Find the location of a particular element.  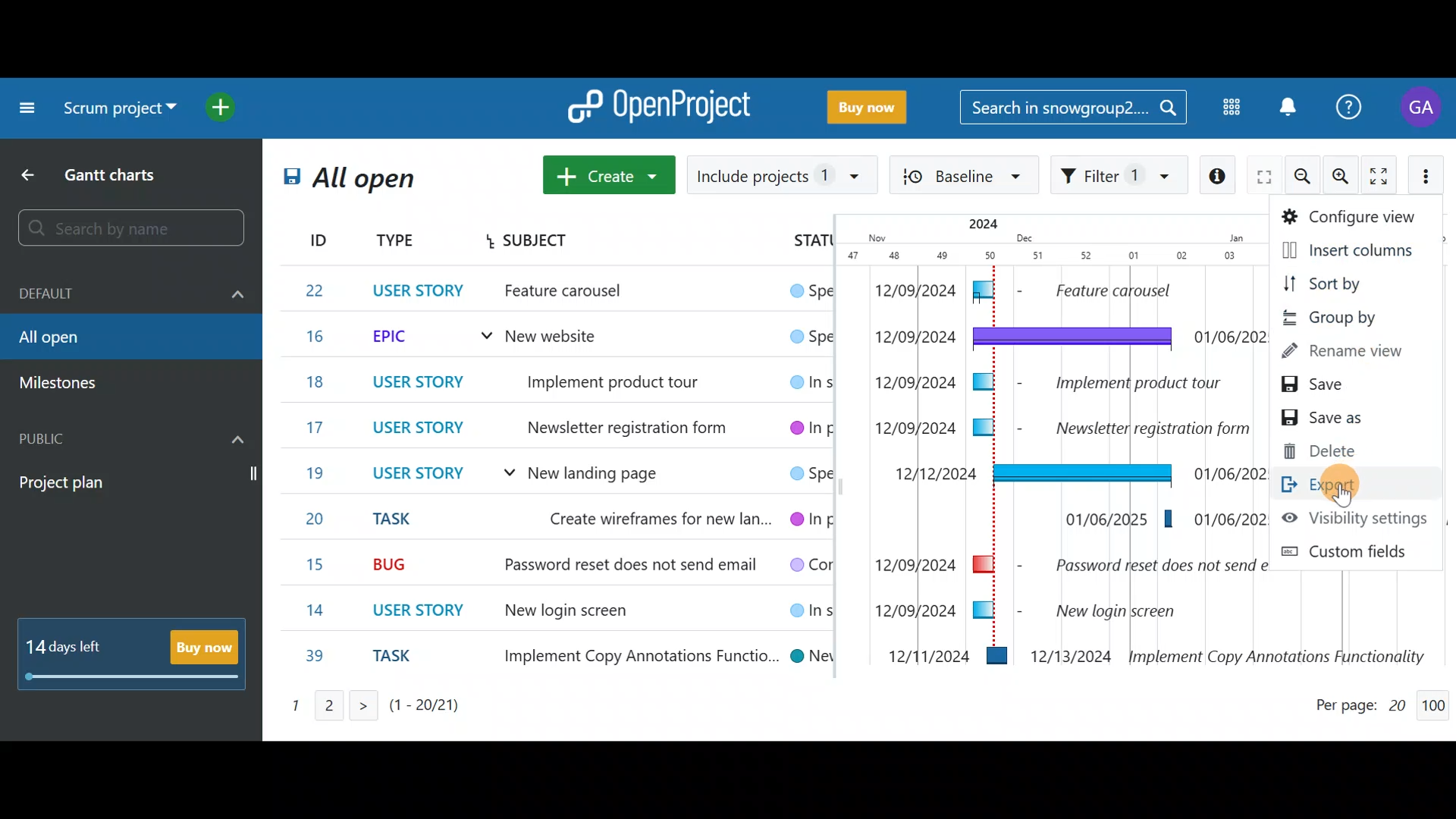

Buy now is located at coordinates (872, 105).